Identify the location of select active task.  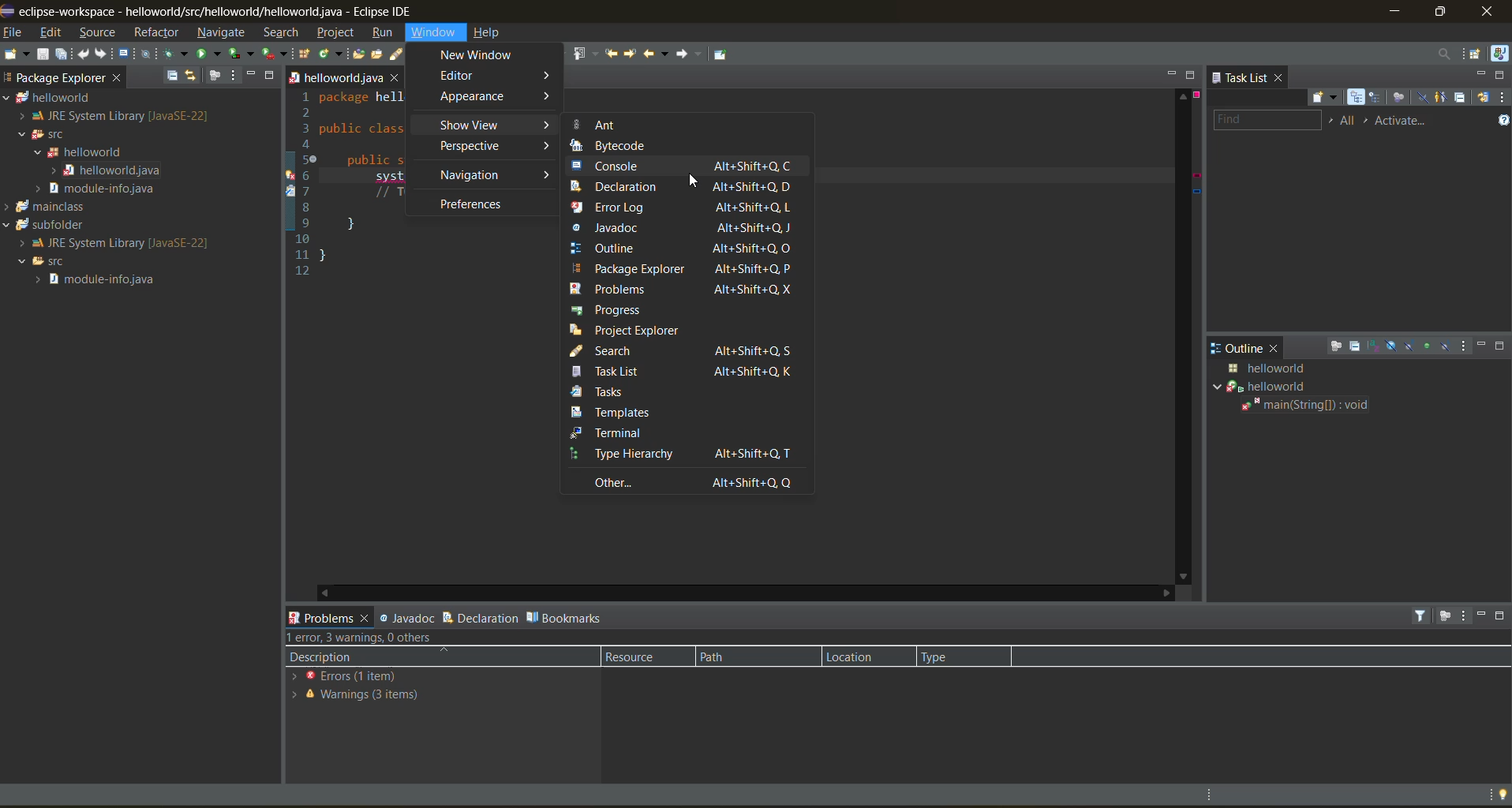
(1367, 121).